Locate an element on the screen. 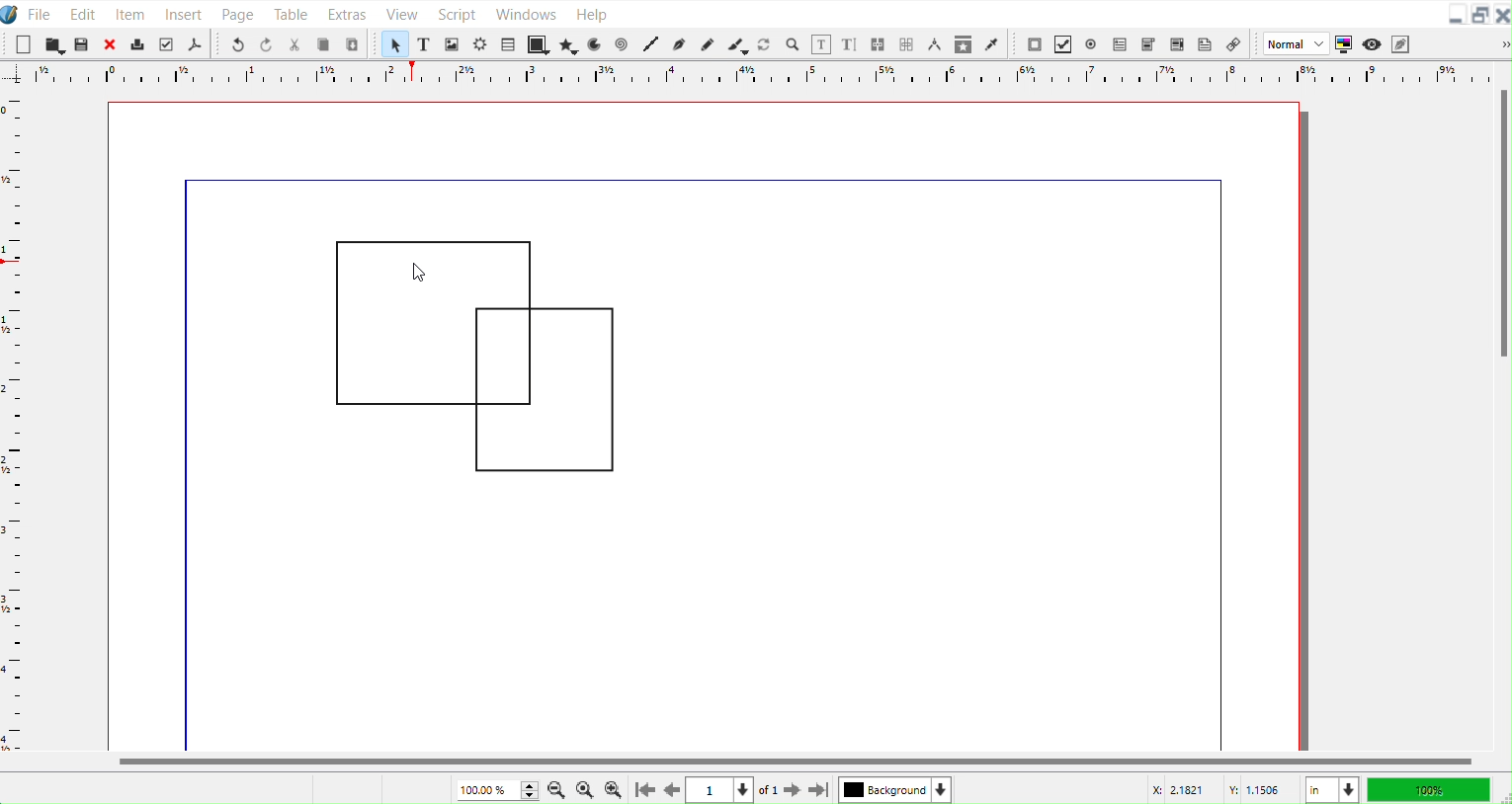 This screenshot has width=1512, height=804. Unlink frame work is located at coordinates (908, 45).